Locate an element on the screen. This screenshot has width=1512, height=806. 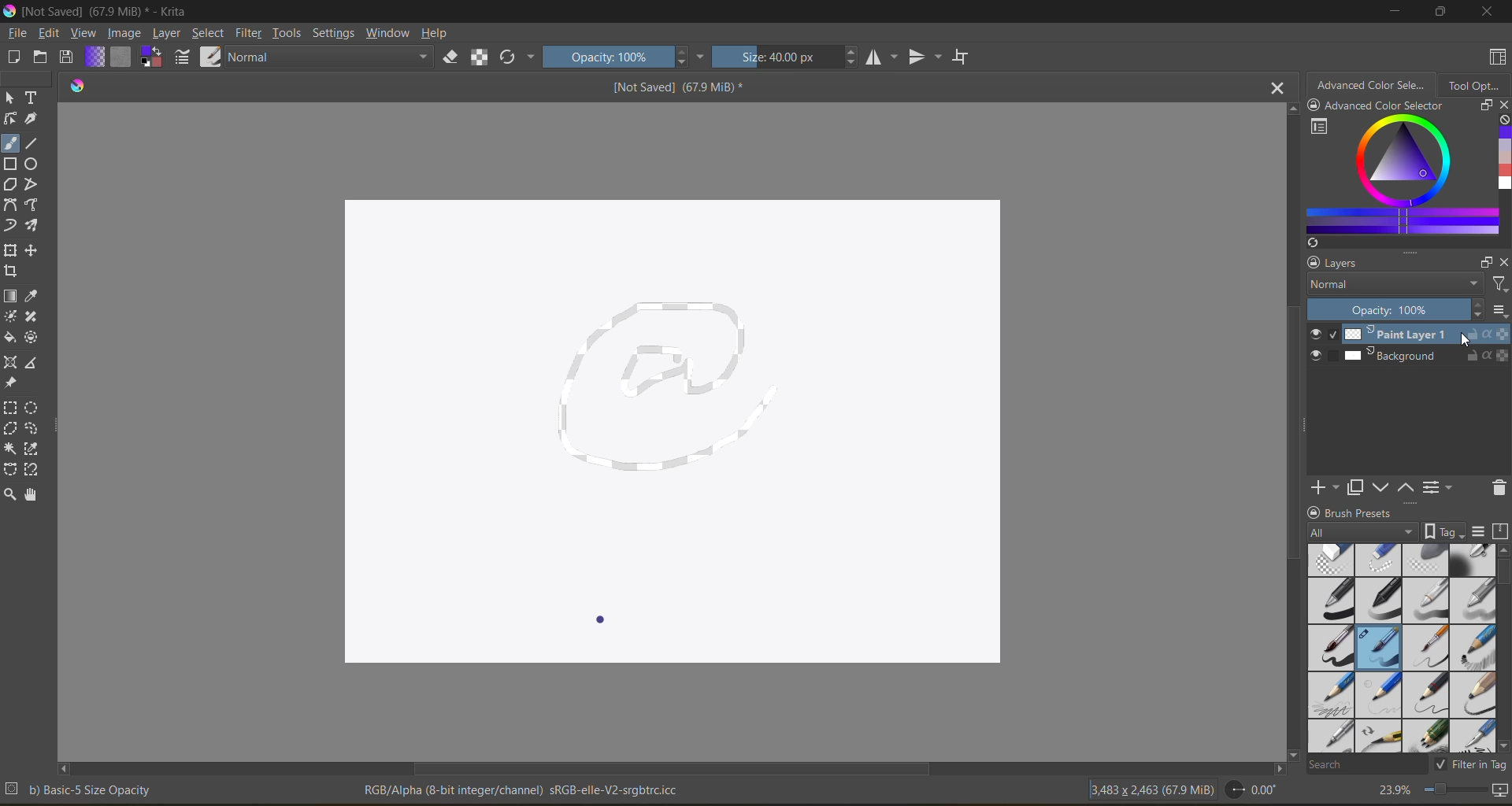
lock docker is located at coordinates (1316, 105).